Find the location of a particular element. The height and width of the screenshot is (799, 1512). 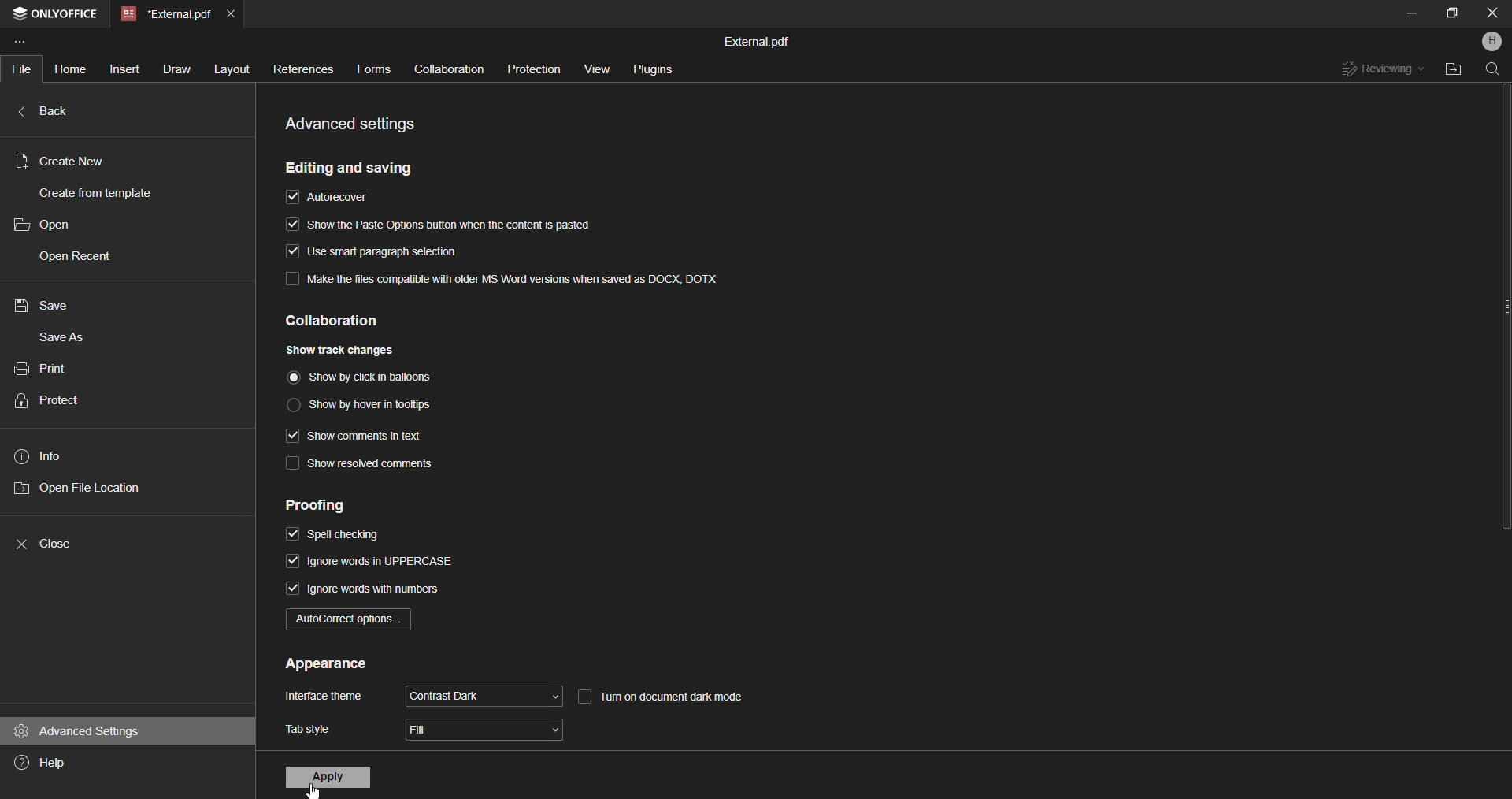

Customize Toolbar is located at coordinates (26, 44).